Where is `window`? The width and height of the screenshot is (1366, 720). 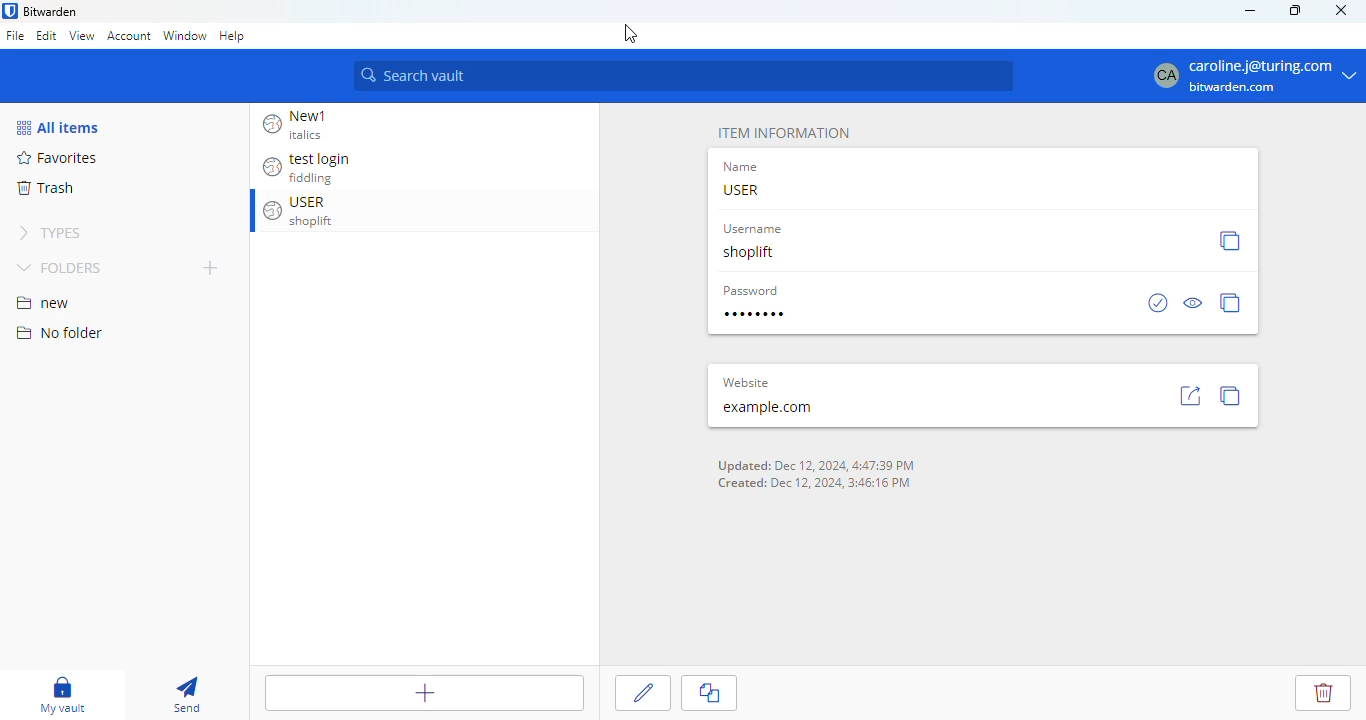
window is located at coordinates (186, 35).